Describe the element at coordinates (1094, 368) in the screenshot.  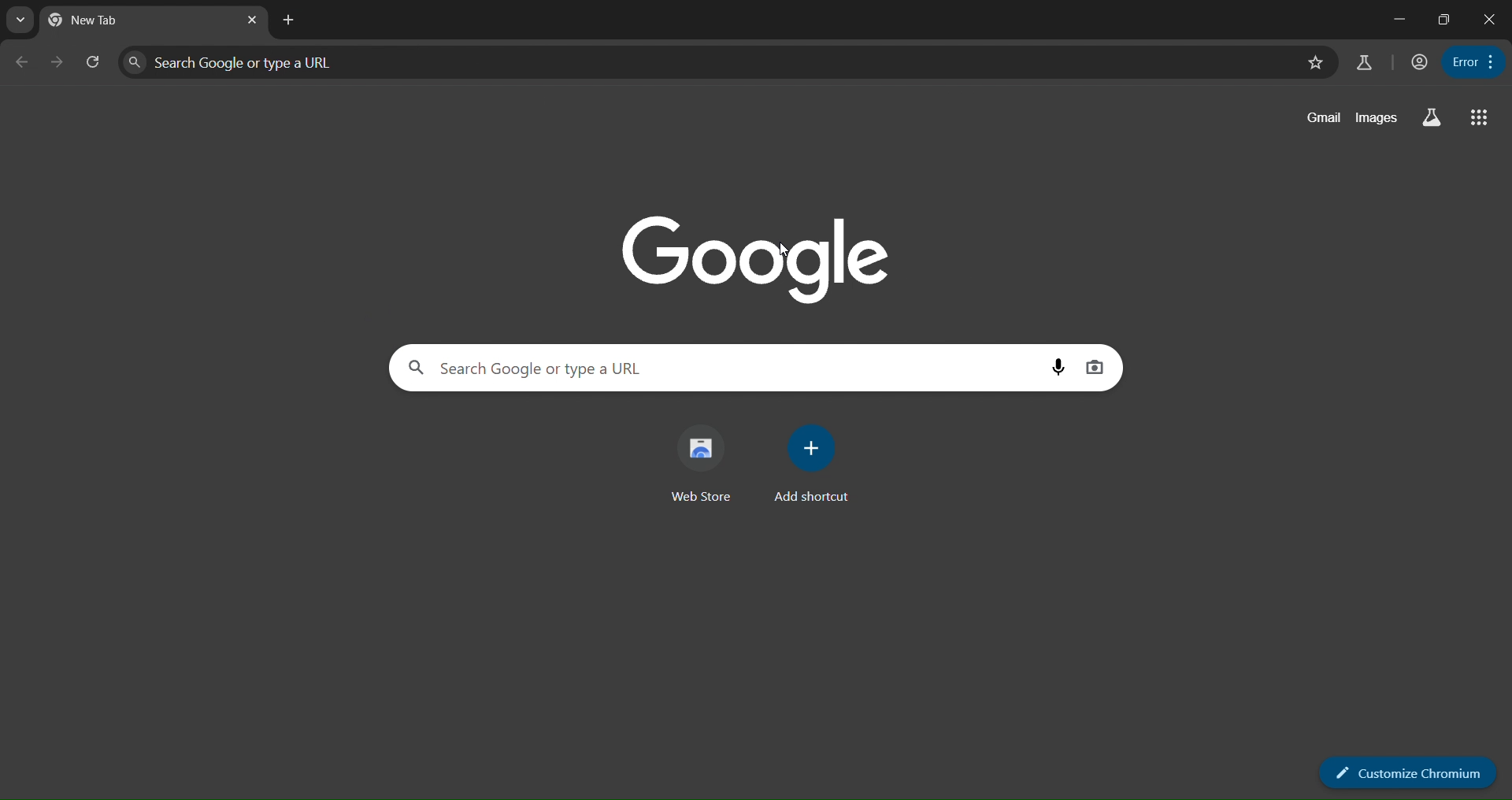
I see `image search` at that location.